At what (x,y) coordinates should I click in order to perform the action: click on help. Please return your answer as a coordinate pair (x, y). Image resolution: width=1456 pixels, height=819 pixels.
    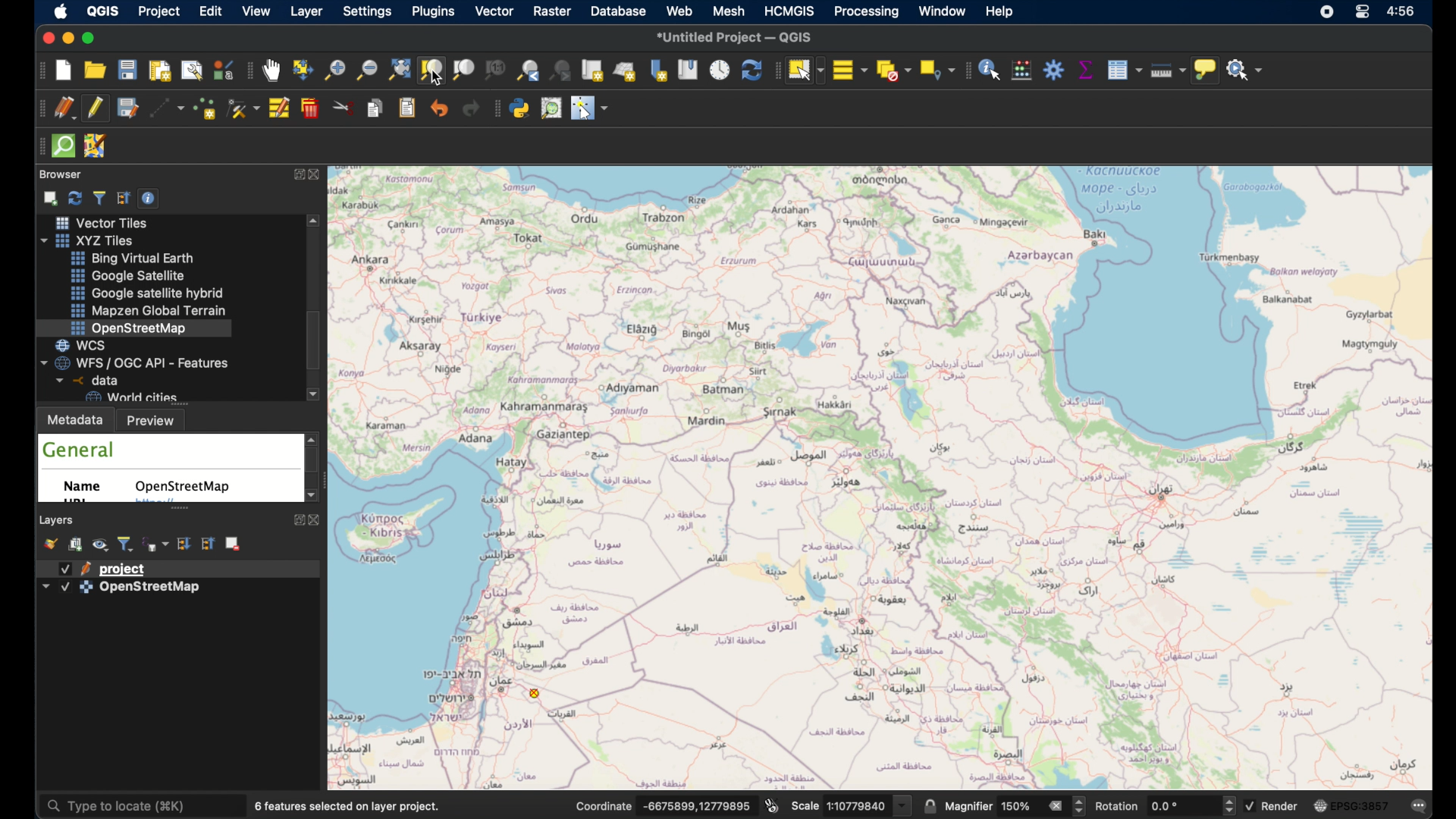
    Looking at the image, I should click on (999, 11).